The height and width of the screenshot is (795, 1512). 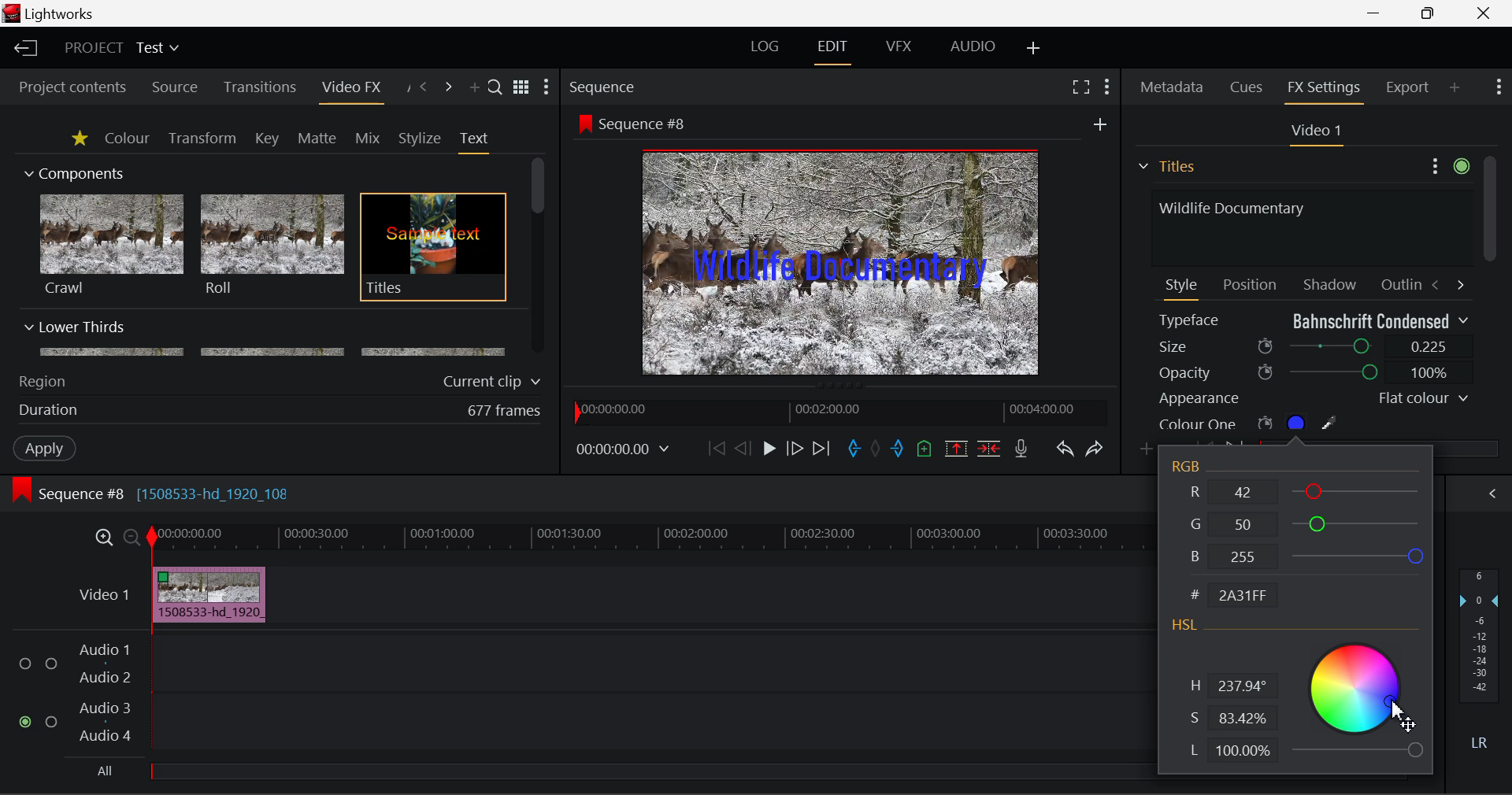 I want to click on LOG Layout, so click(x=765, y=46).